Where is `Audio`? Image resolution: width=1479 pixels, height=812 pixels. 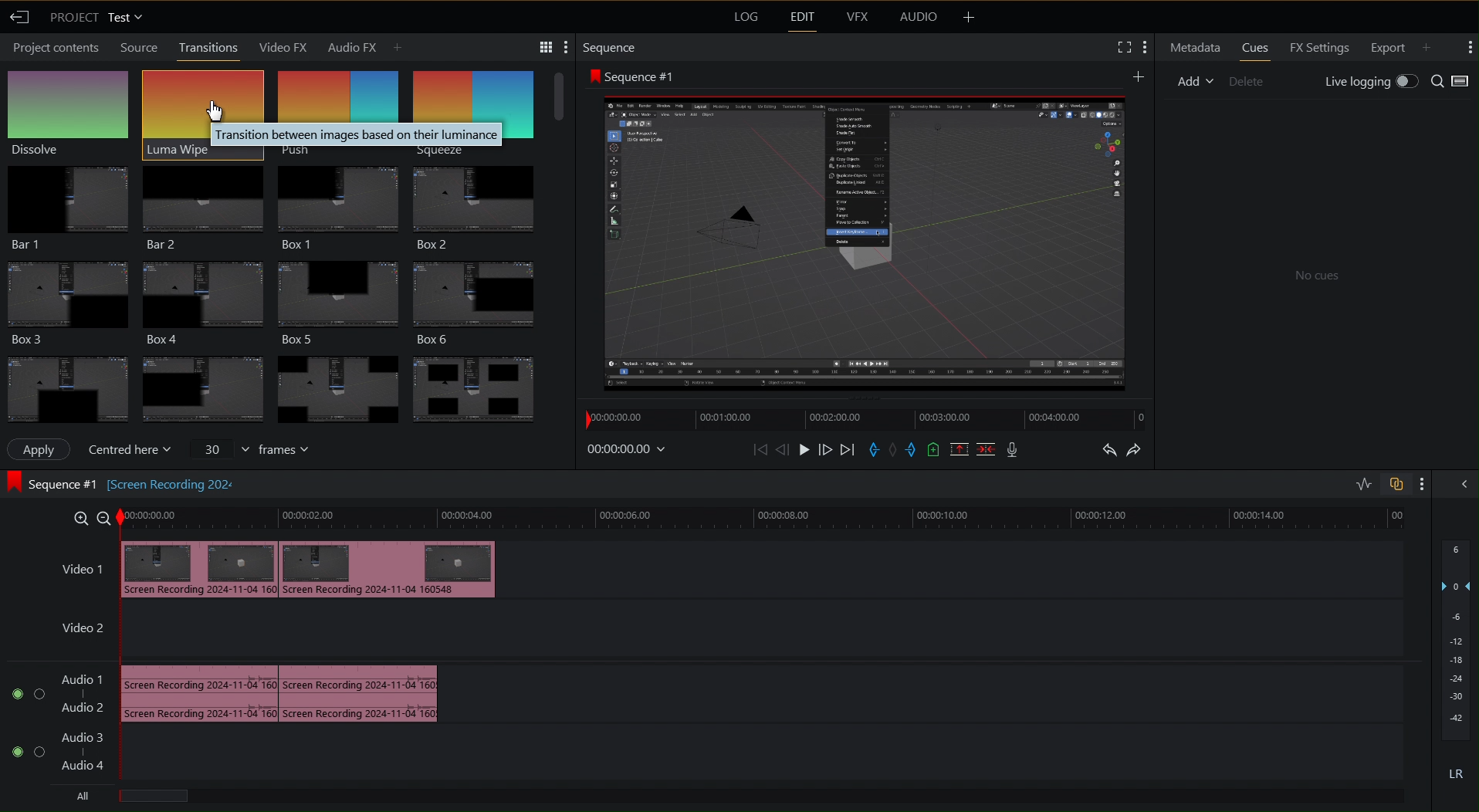
Audio is located at coordinates (919, 18).